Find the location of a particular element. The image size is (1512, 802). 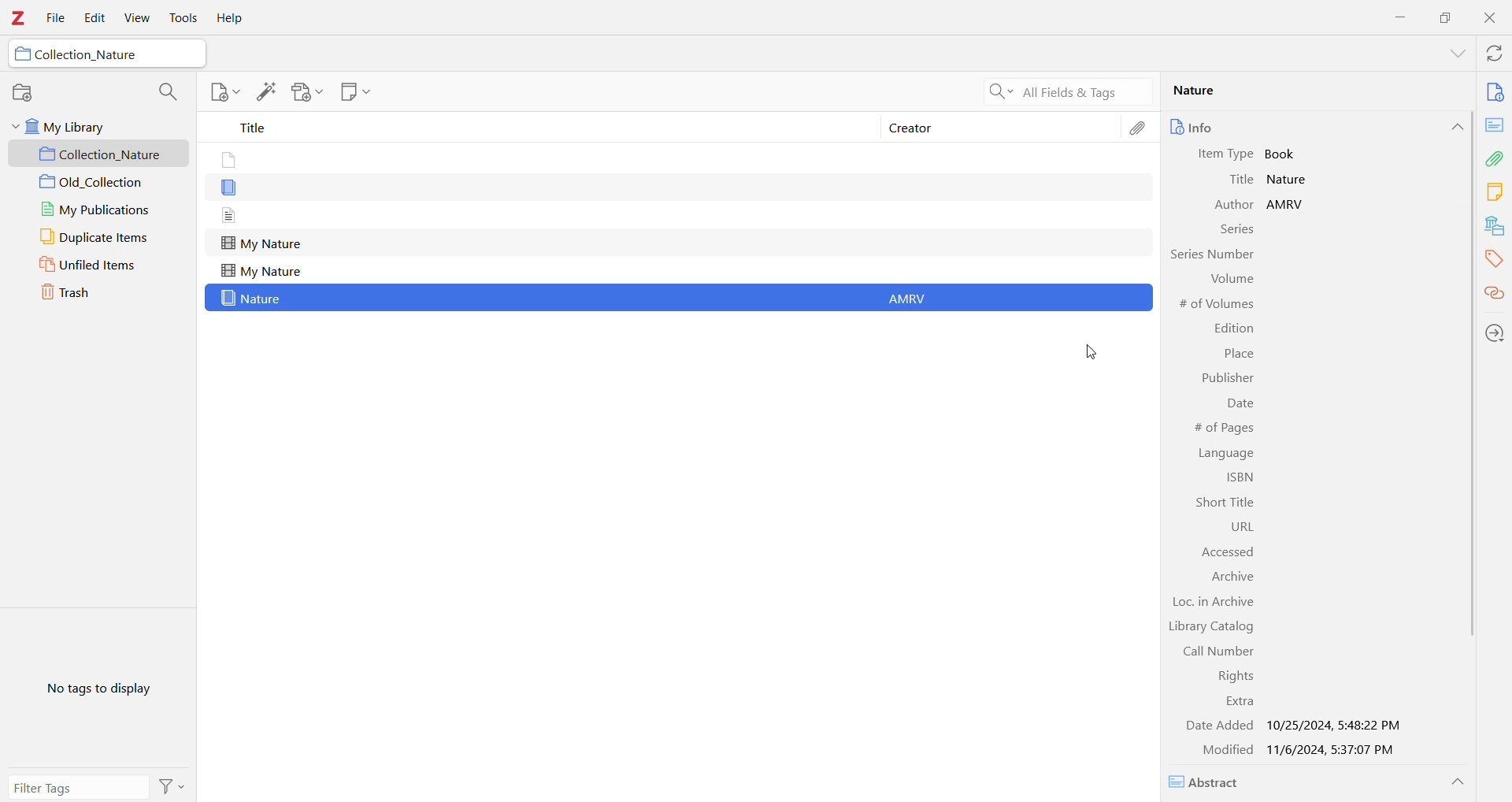

Trash is located at coordinates (84, 291).